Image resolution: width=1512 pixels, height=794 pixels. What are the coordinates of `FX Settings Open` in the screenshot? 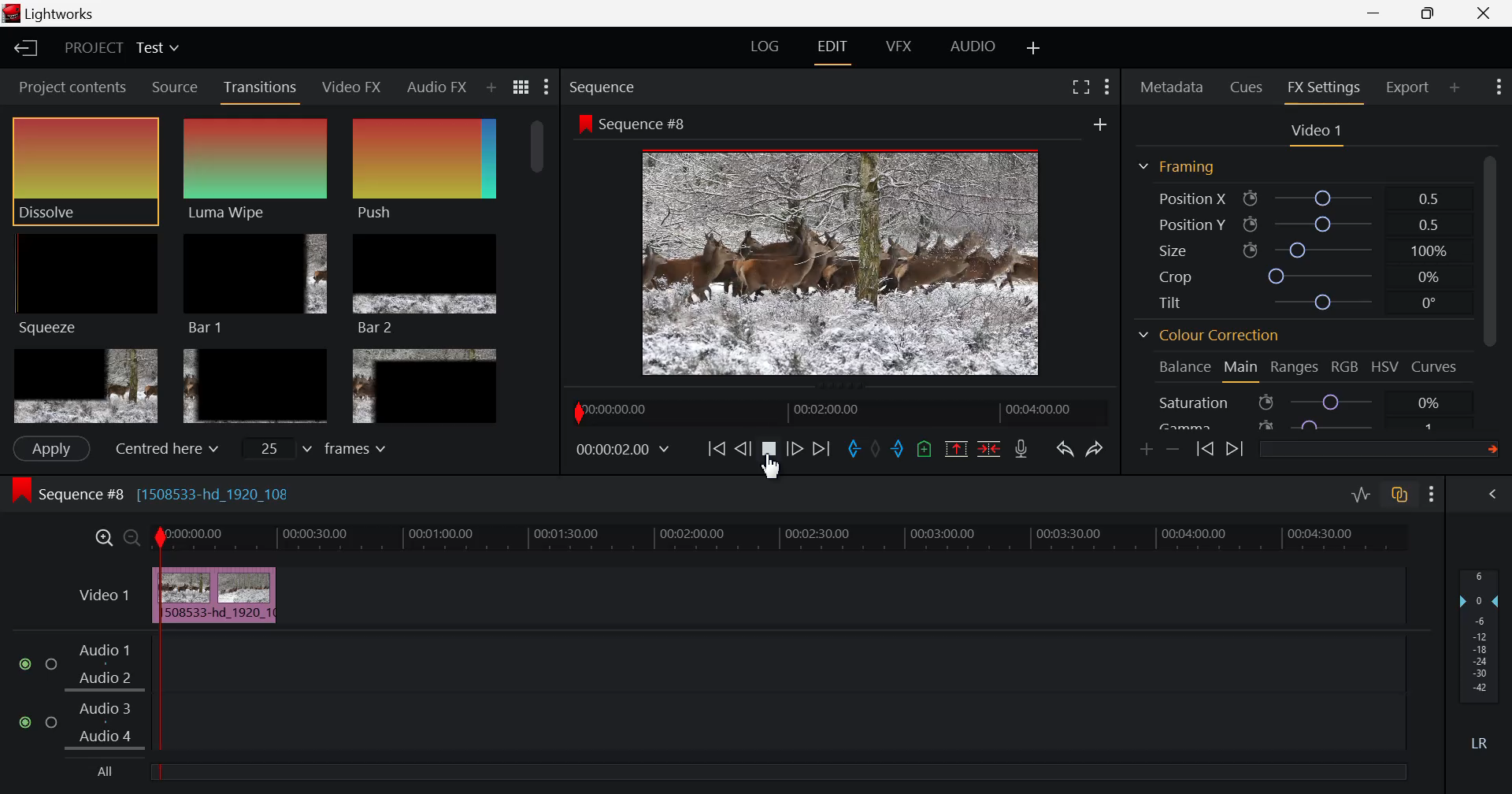 It's located at (1324, 90).